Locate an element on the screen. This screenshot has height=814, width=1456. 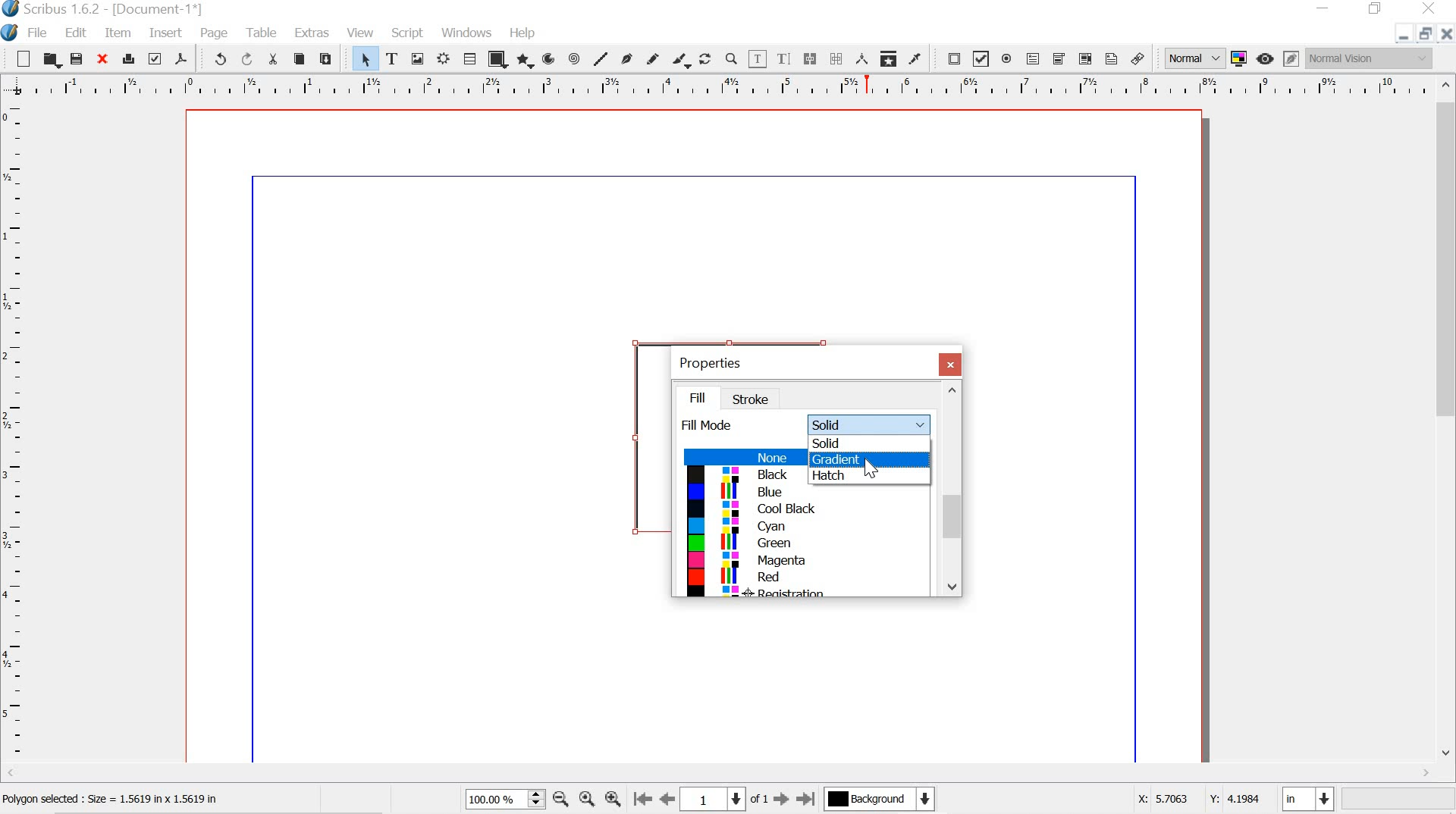
logo is located at coordinates (10, 31).